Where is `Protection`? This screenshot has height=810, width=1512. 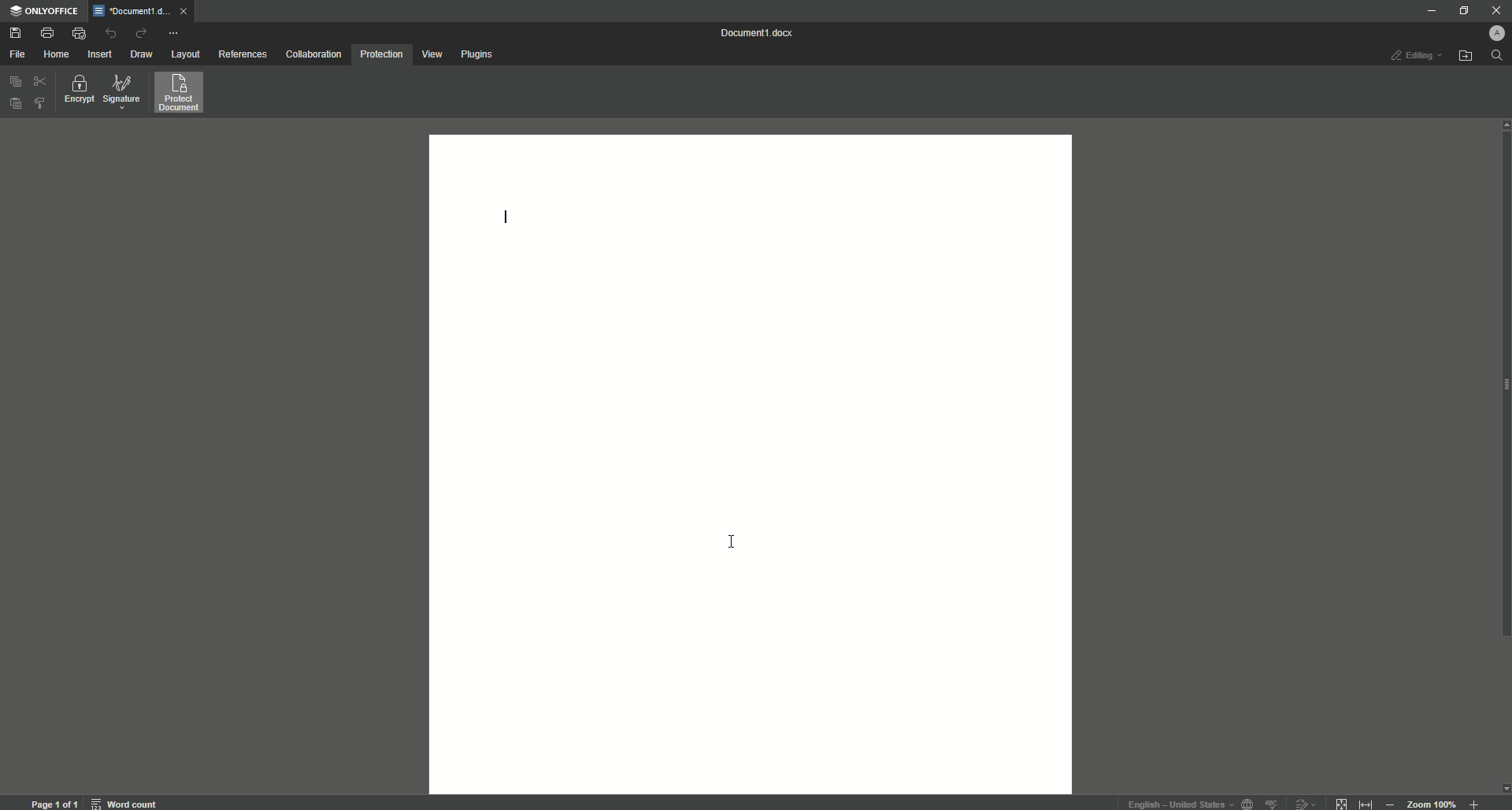 Protection is located at coordinates (381, 56).